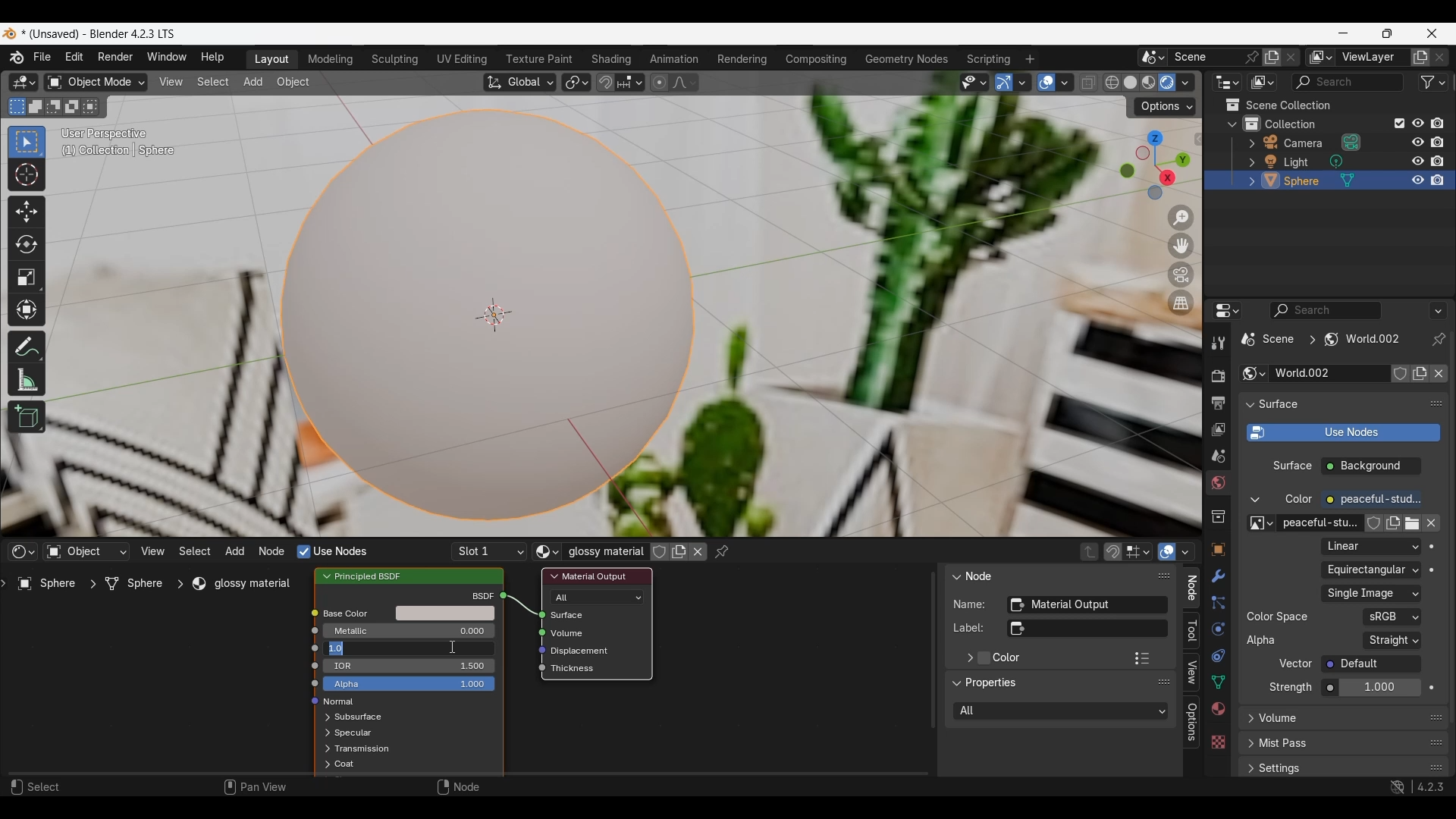 This screenshot has height=819, width=1456. I want to click on Viewport shading: wireframe, so click(1112, 83).